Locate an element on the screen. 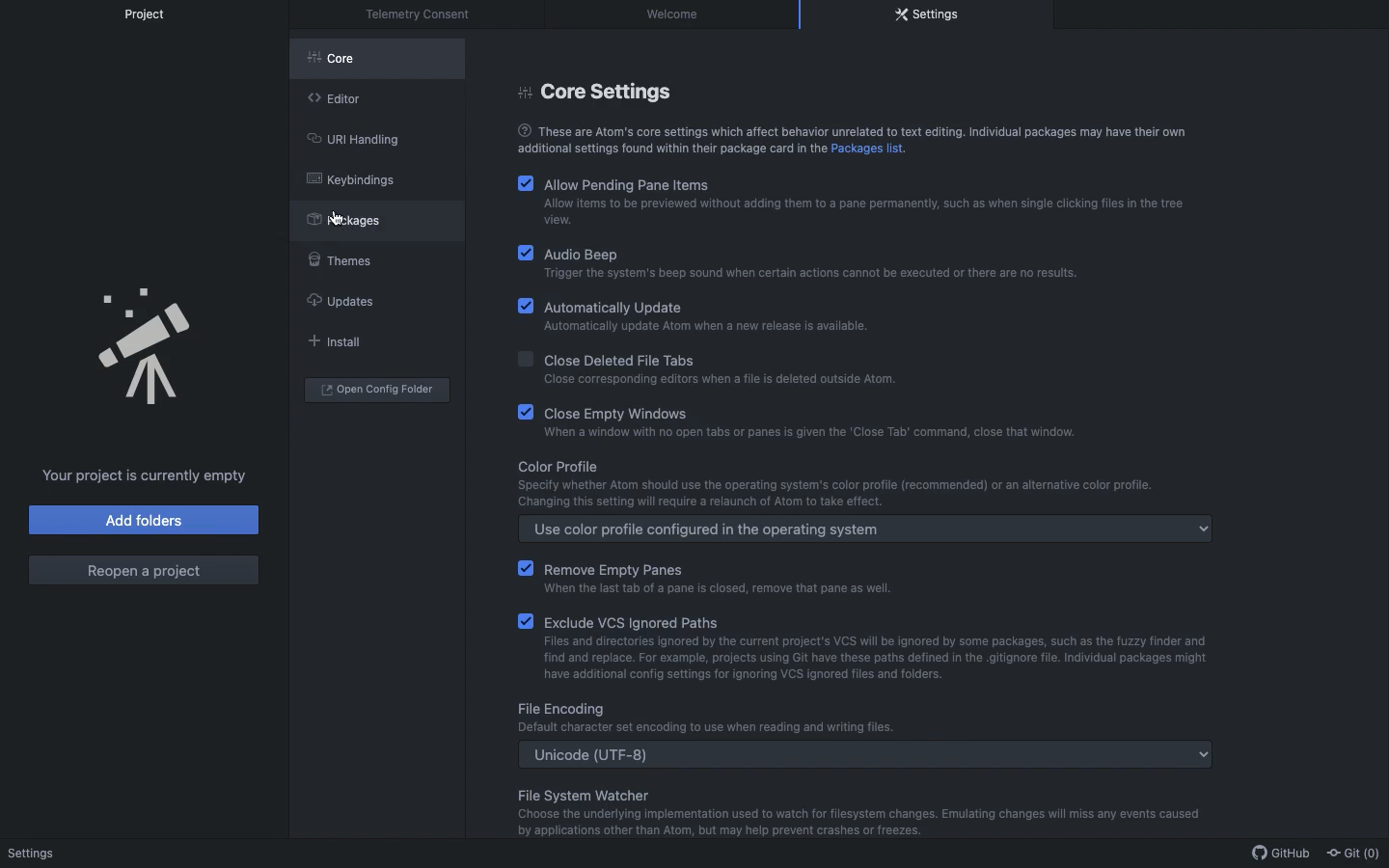  Settings is located at coordinates (928, 14).